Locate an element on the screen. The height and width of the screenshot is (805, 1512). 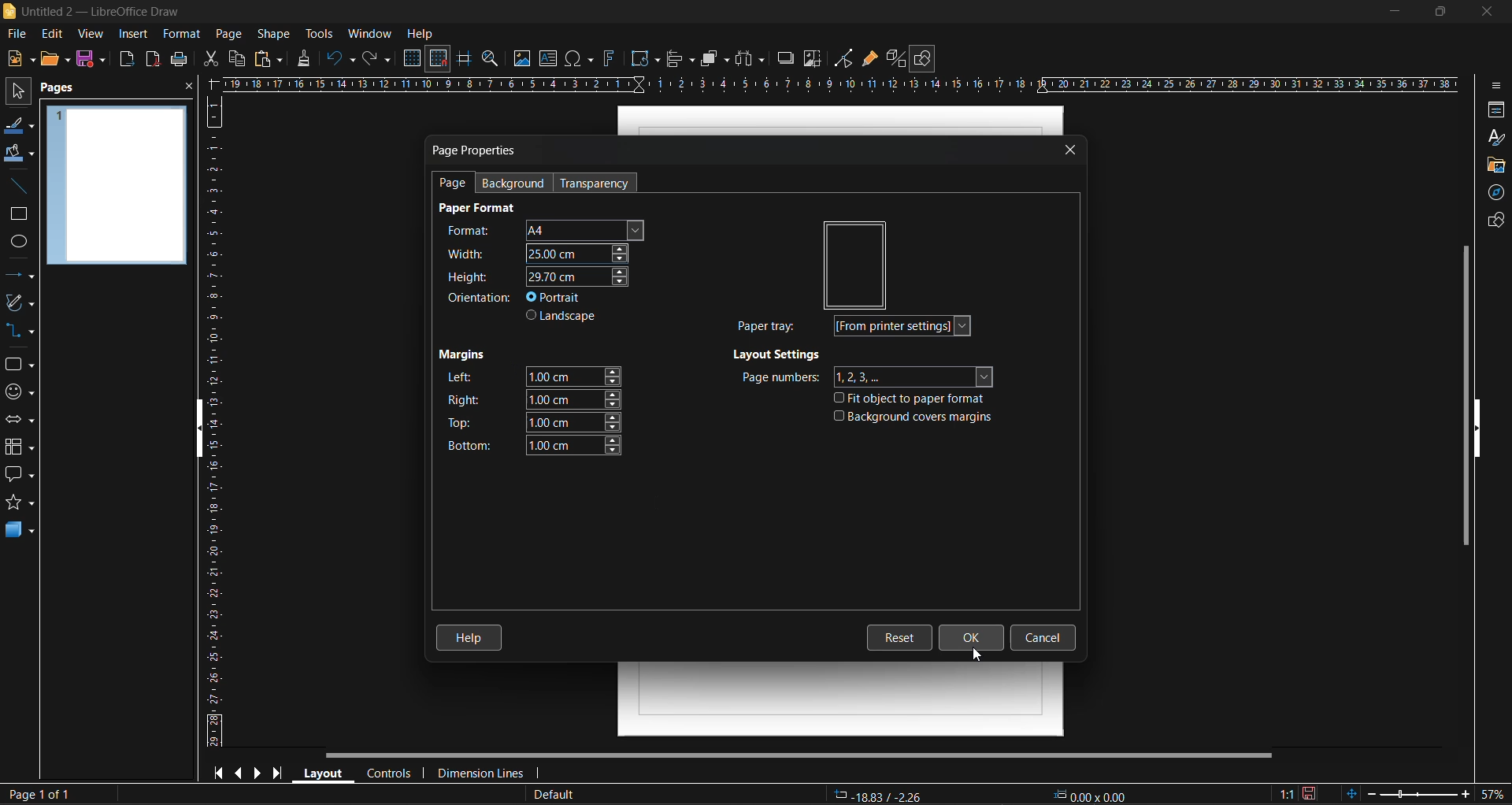
styles is located at coordinates (1496, 139).